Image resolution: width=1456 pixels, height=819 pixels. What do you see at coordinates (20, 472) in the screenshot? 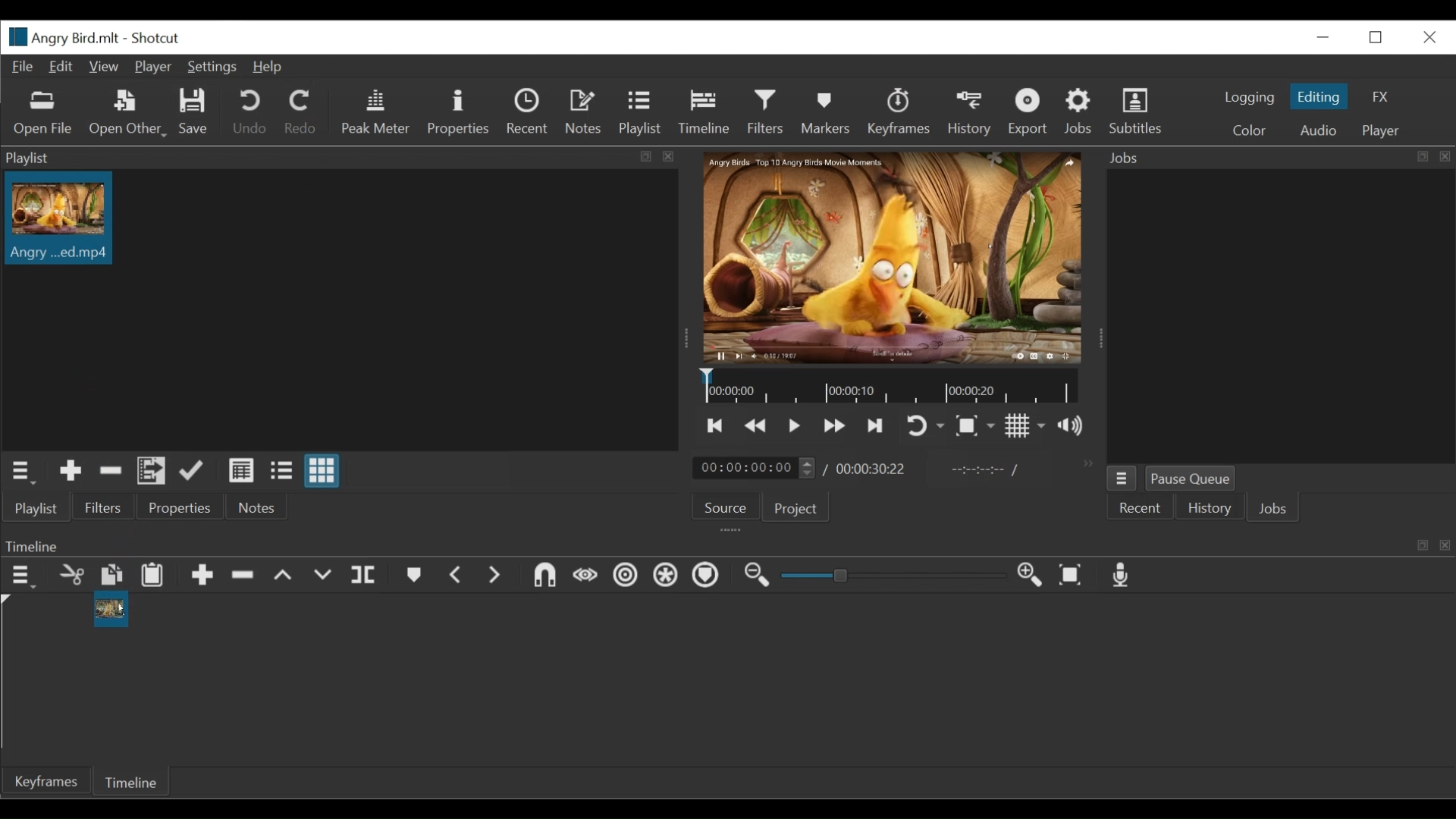
I see `Playlist menu` at bounding box center [20, 472].